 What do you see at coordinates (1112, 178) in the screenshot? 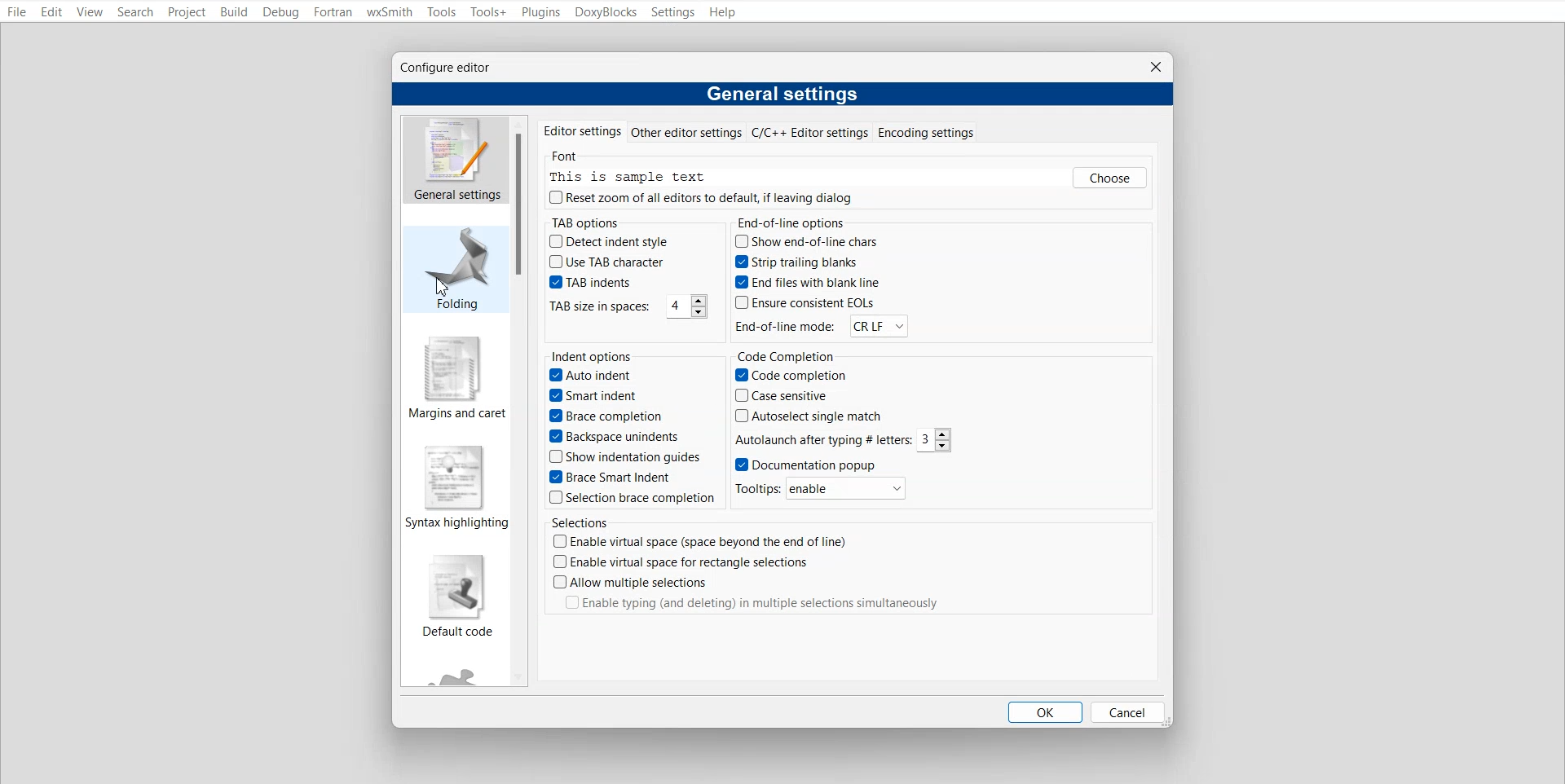
I see `` at bounding box center [1112, 178].